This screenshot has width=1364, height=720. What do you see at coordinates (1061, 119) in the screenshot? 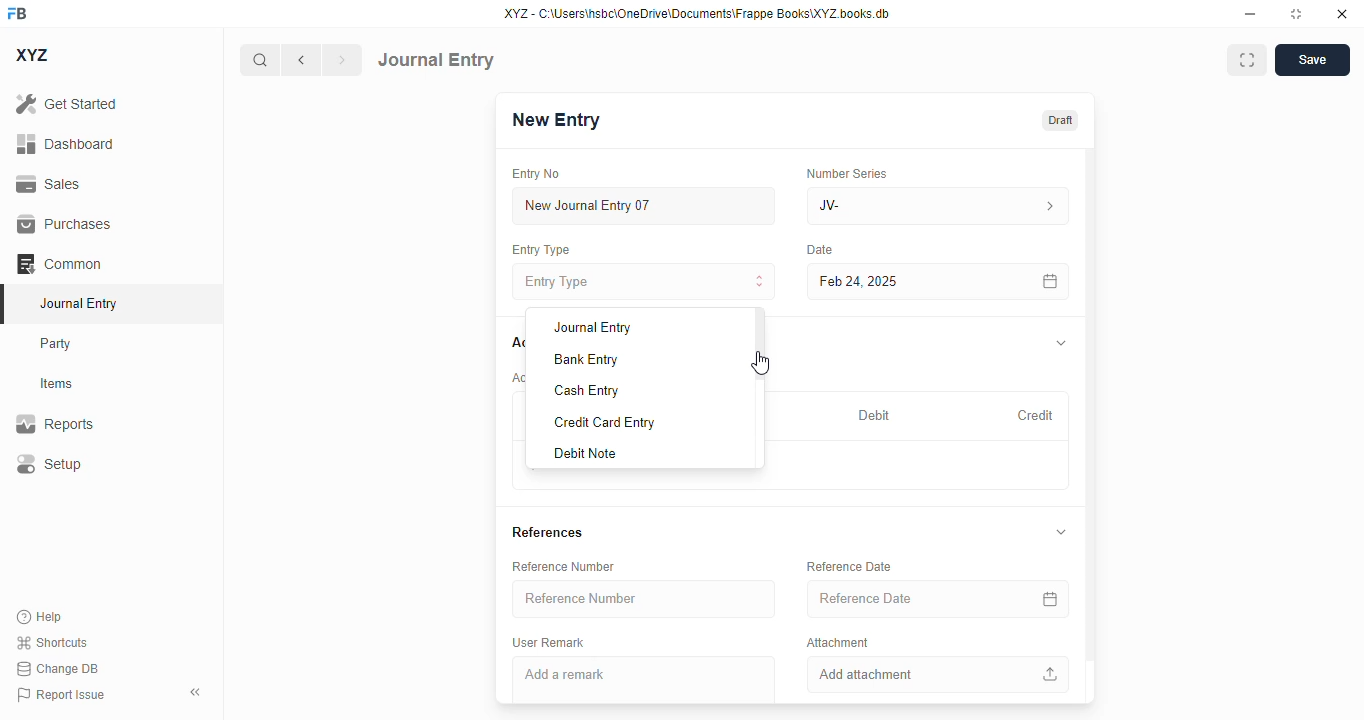
I see `draft` at bounding box center [1061, 119].